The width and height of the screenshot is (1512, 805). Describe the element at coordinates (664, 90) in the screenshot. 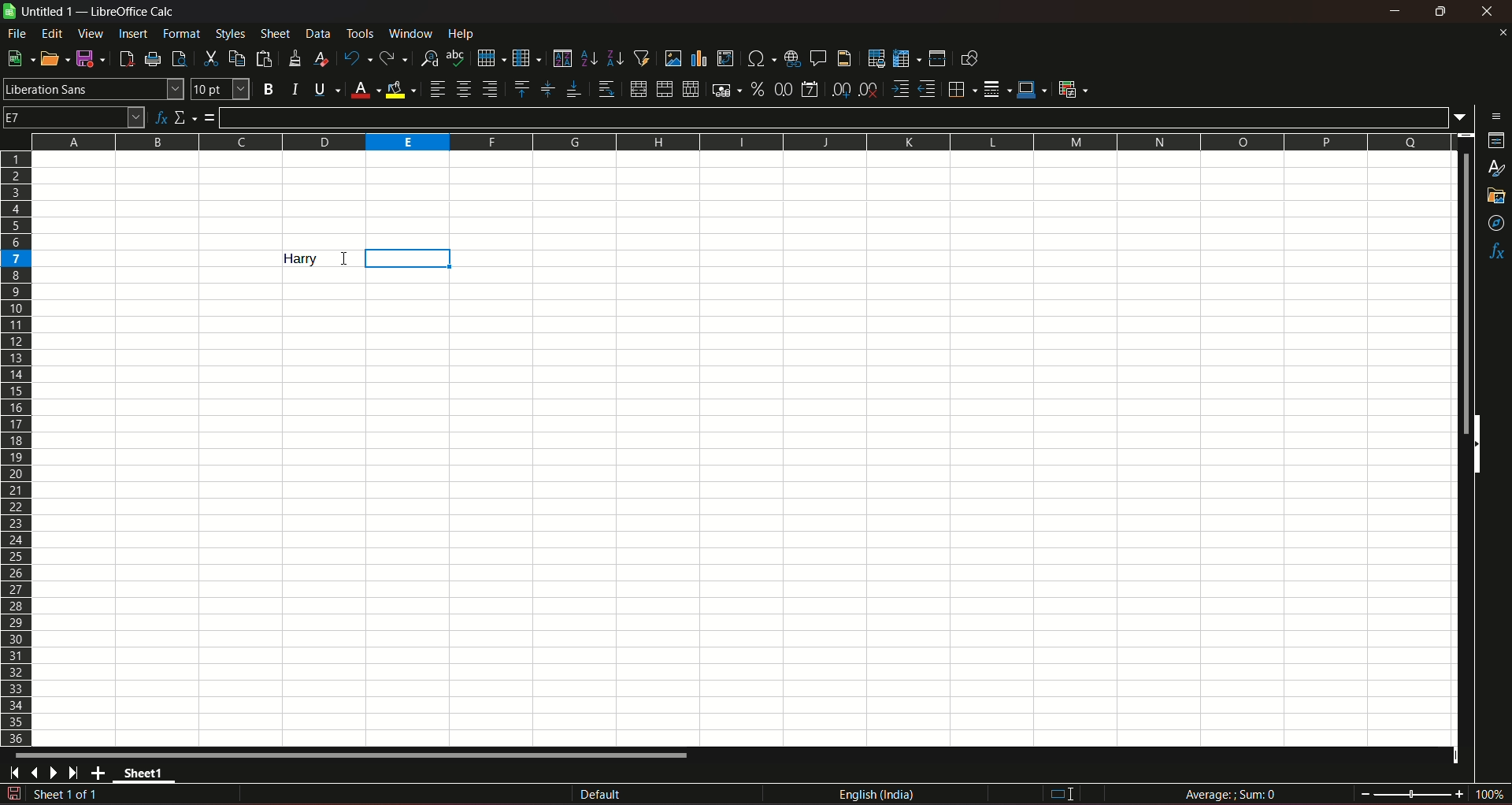

I see `merge` at that location.